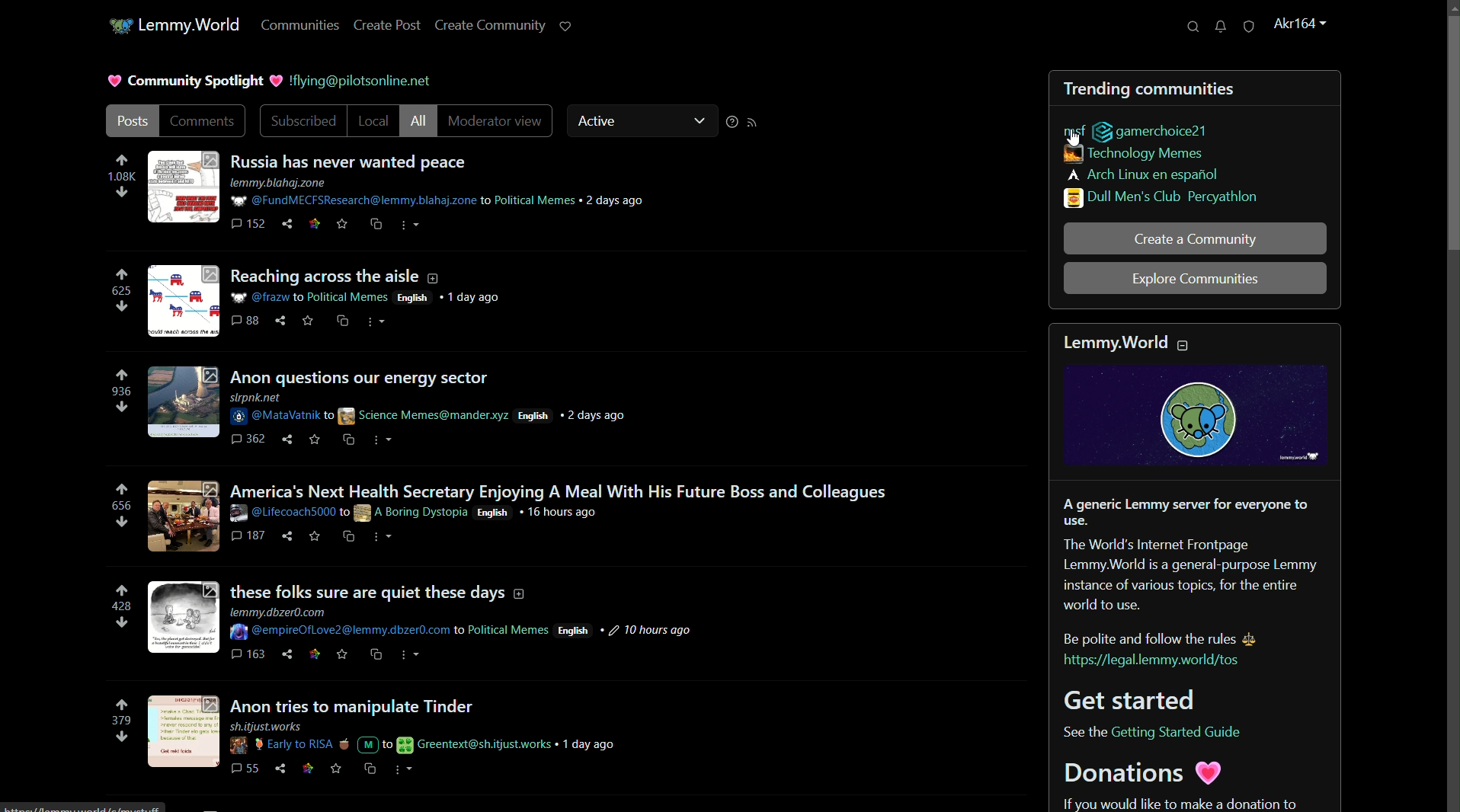  I want to click on cs, so click(369, 767).